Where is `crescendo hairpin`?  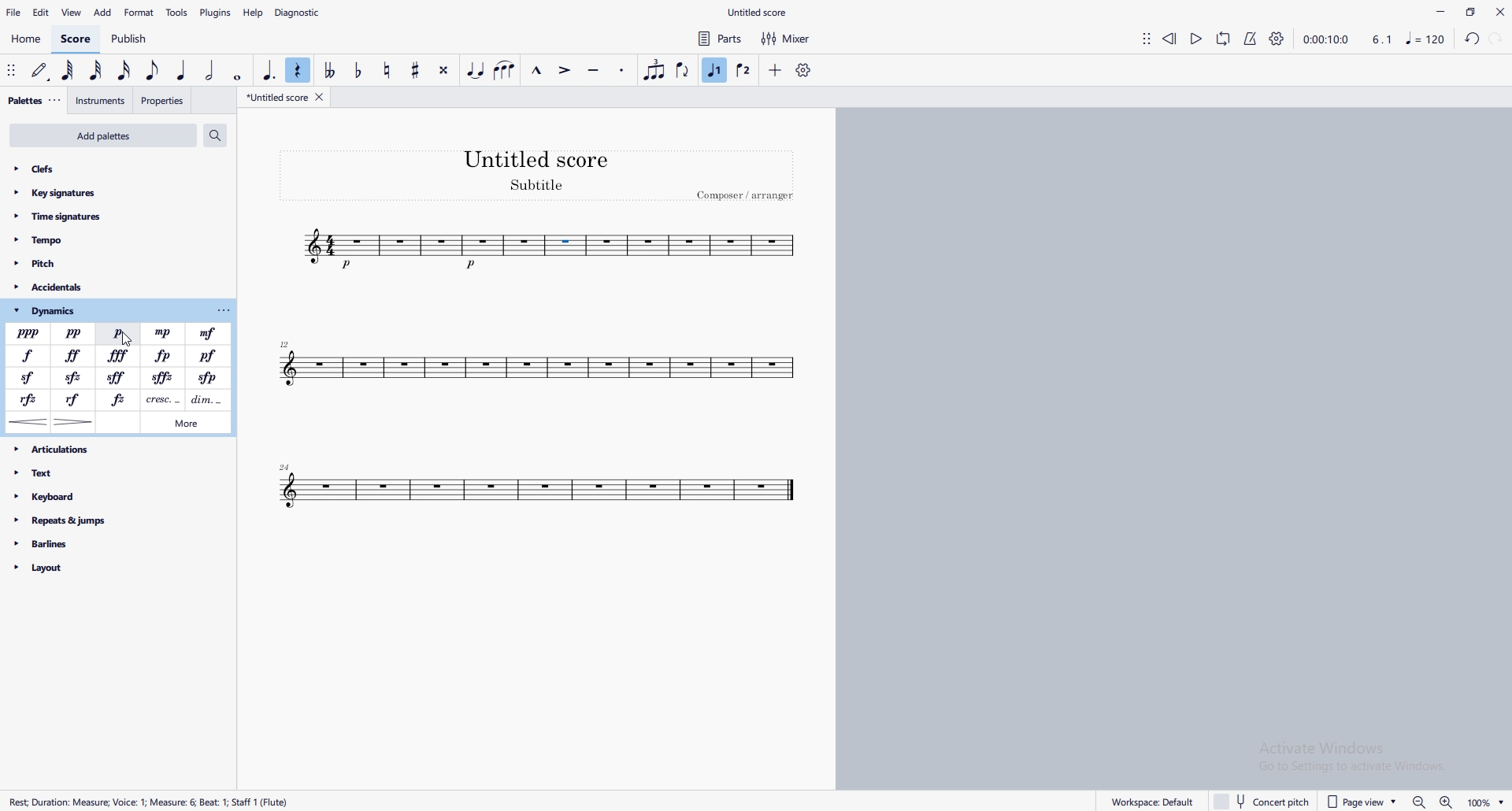 crescendo hairpin is located at coordinates (27, 424).